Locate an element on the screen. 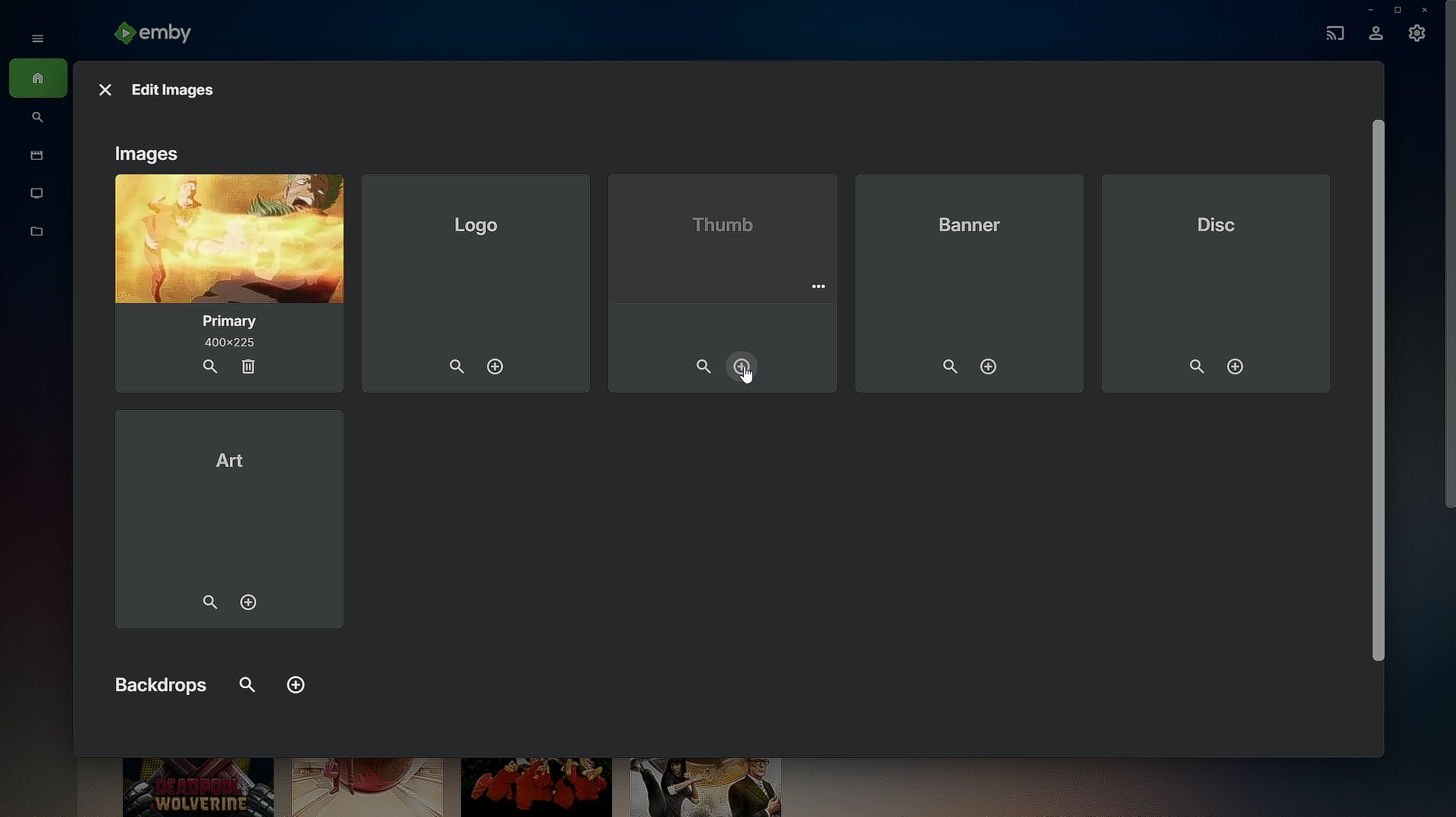 Image resolution: width=1456 pixels, height=817 pixels. Movies is located at coordinates (33, 157).